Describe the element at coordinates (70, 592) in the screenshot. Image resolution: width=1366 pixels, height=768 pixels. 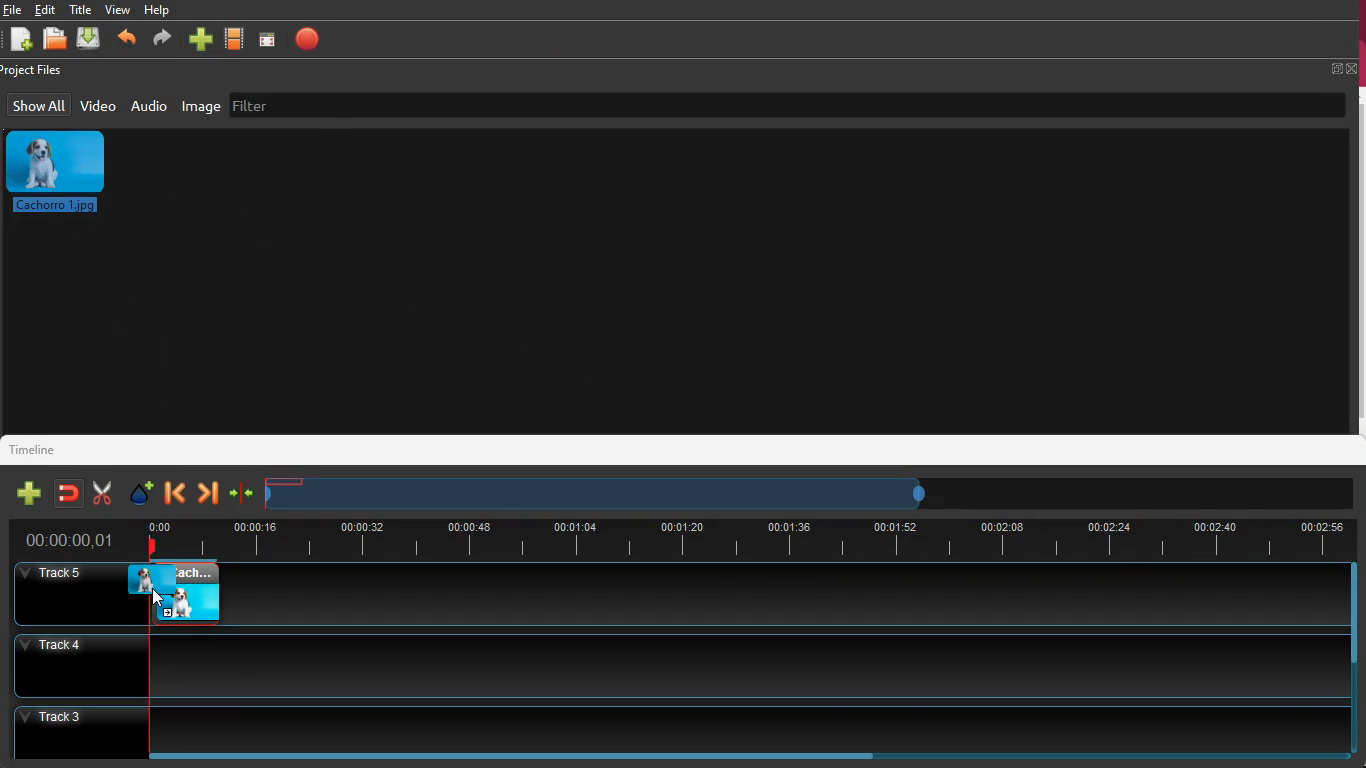
I see `track5` at that location.